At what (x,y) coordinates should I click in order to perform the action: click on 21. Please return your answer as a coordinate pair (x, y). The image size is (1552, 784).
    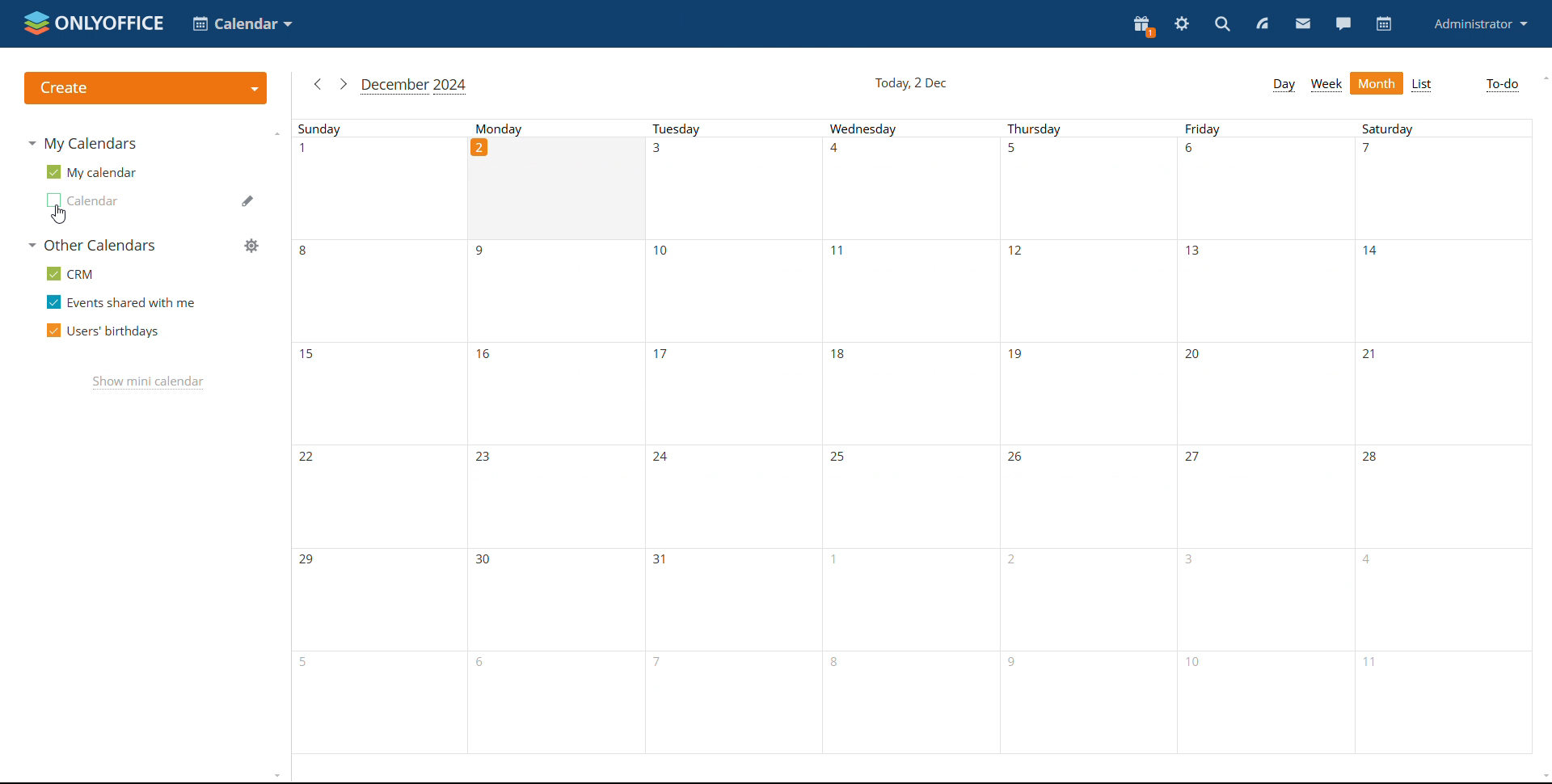
    Looking at the image, I should click on (1447, 392).